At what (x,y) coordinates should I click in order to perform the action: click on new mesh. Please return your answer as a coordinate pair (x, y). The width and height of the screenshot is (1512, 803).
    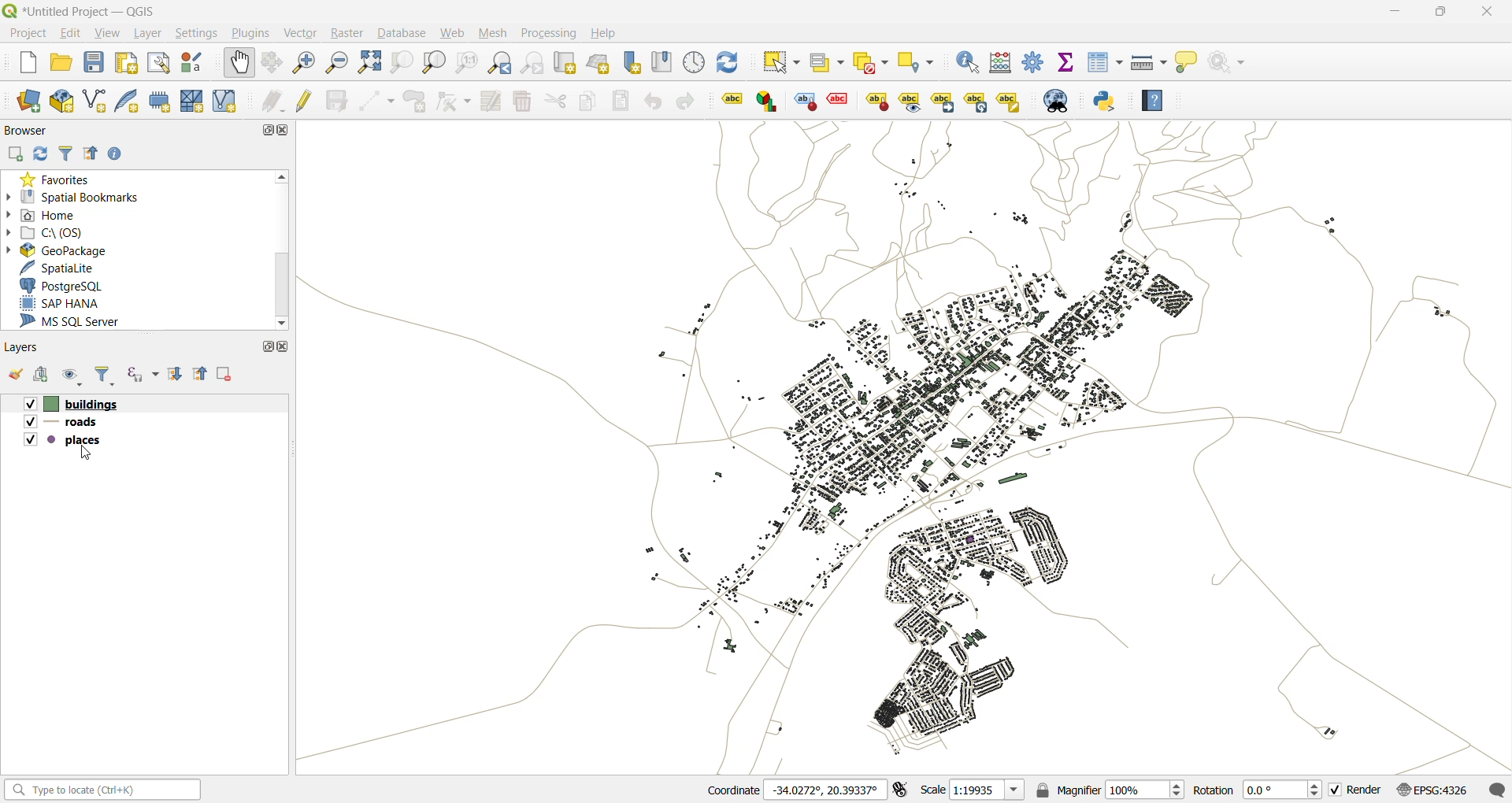
    Looking at the image, I should click on (195, 102).